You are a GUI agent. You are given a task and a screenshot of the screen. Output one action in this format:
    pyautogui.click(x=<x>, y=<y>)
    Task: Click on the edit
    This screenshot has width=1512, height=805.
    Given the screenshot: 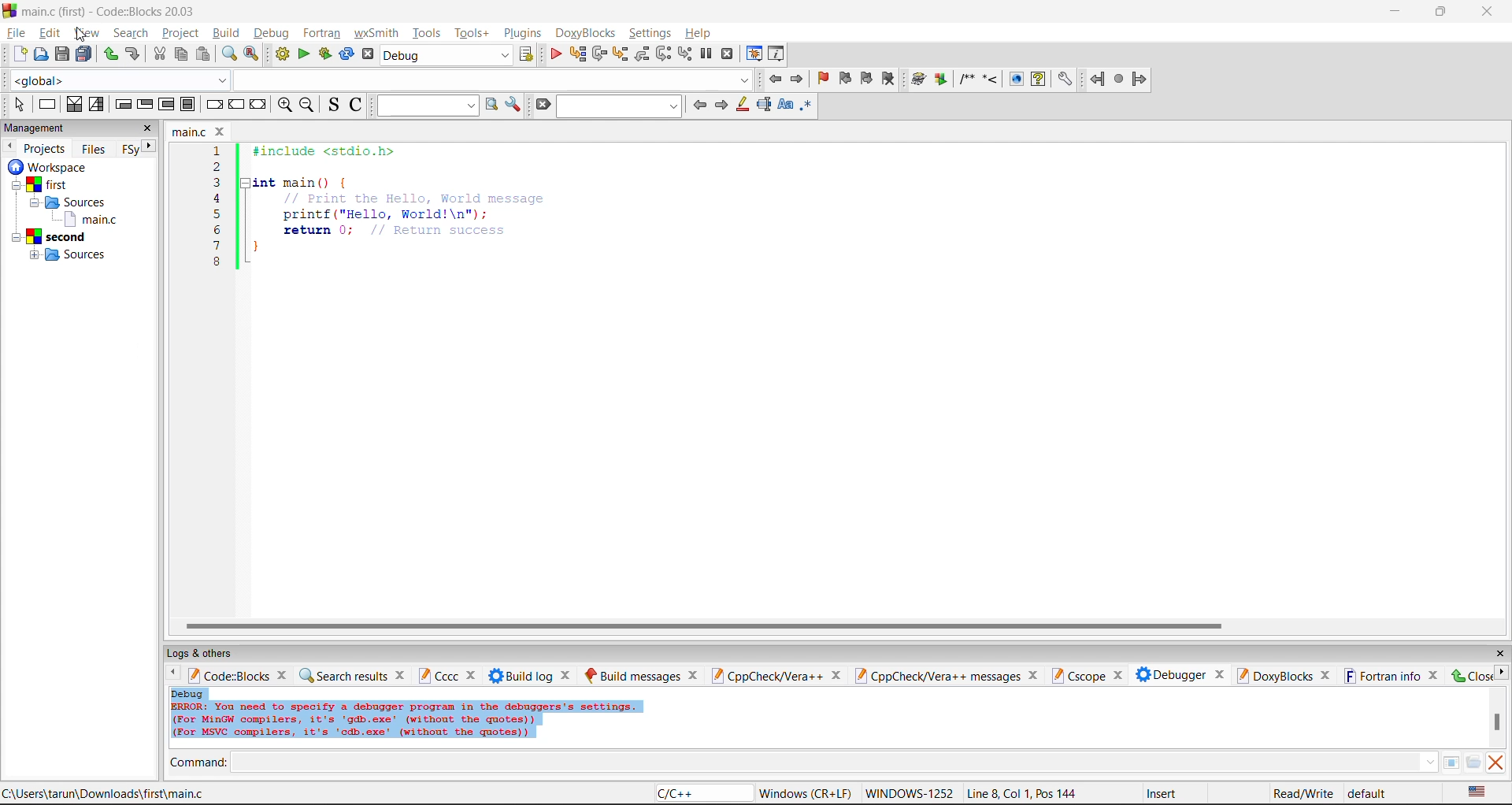 What is the action you would take?
    pyautogui.click(x=50, y=32)
    